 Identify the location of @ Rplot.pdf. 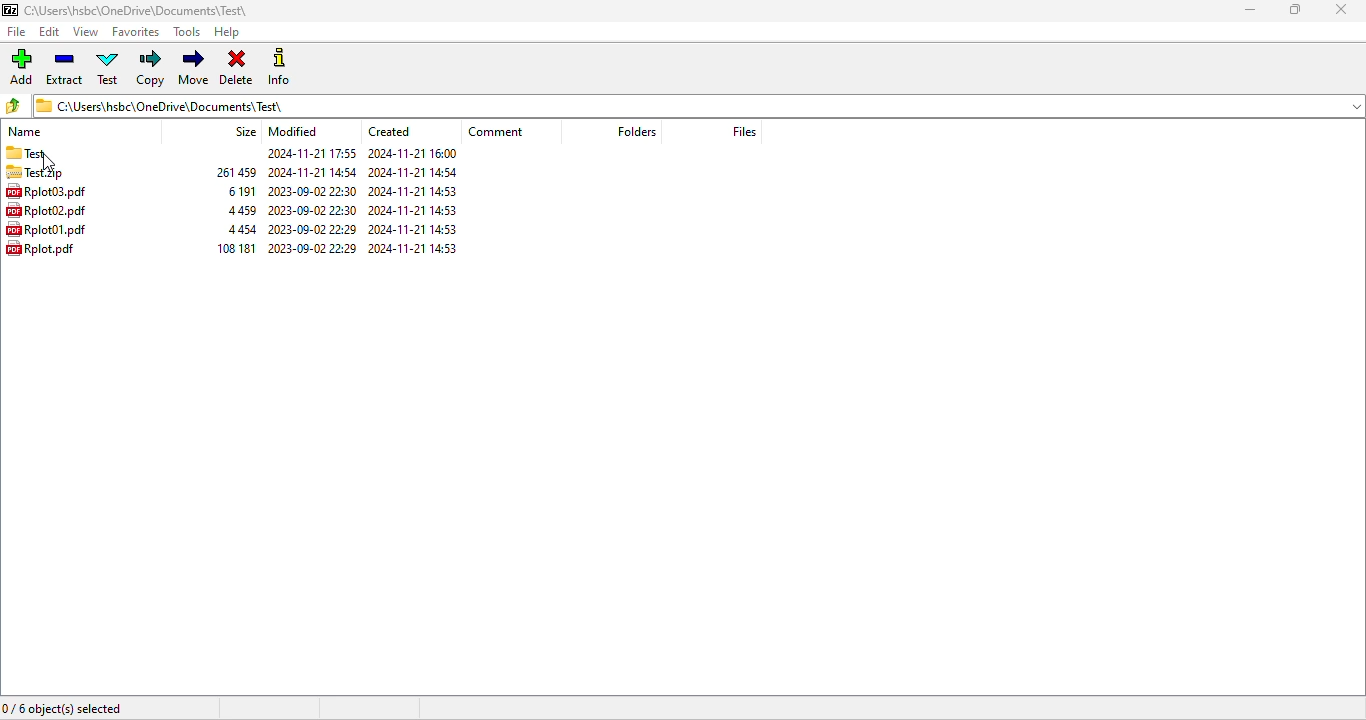
(44, 249).